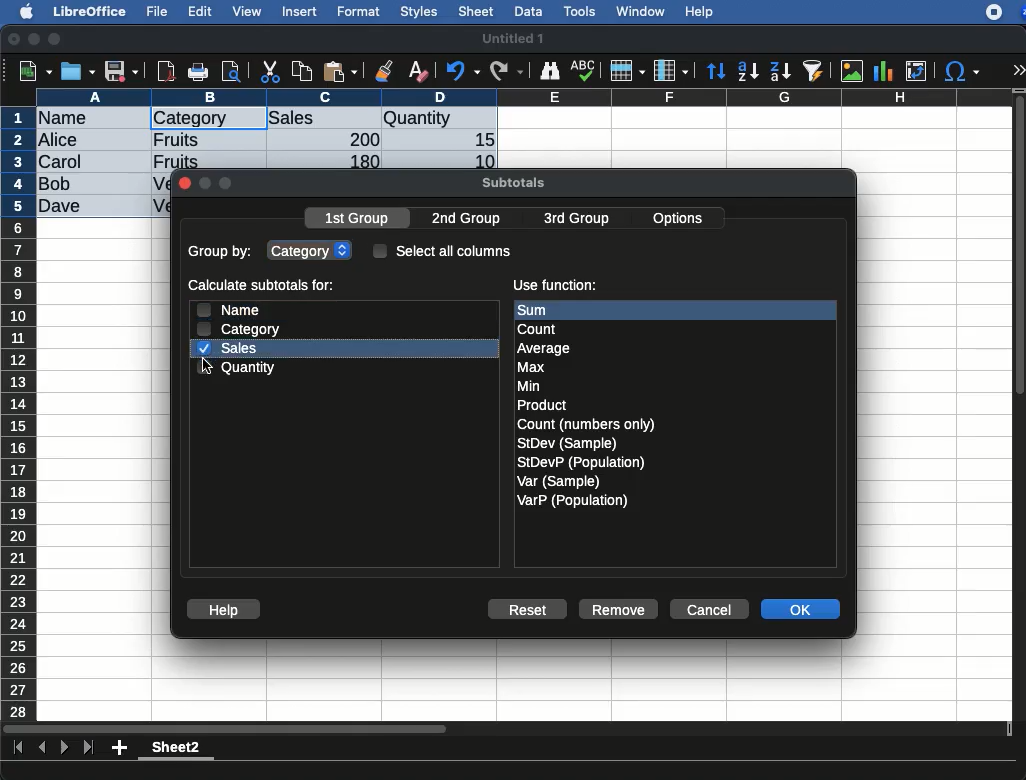  Describe the element at coordinates (359, 220) in the screenshot. I see `1st group` at that location.